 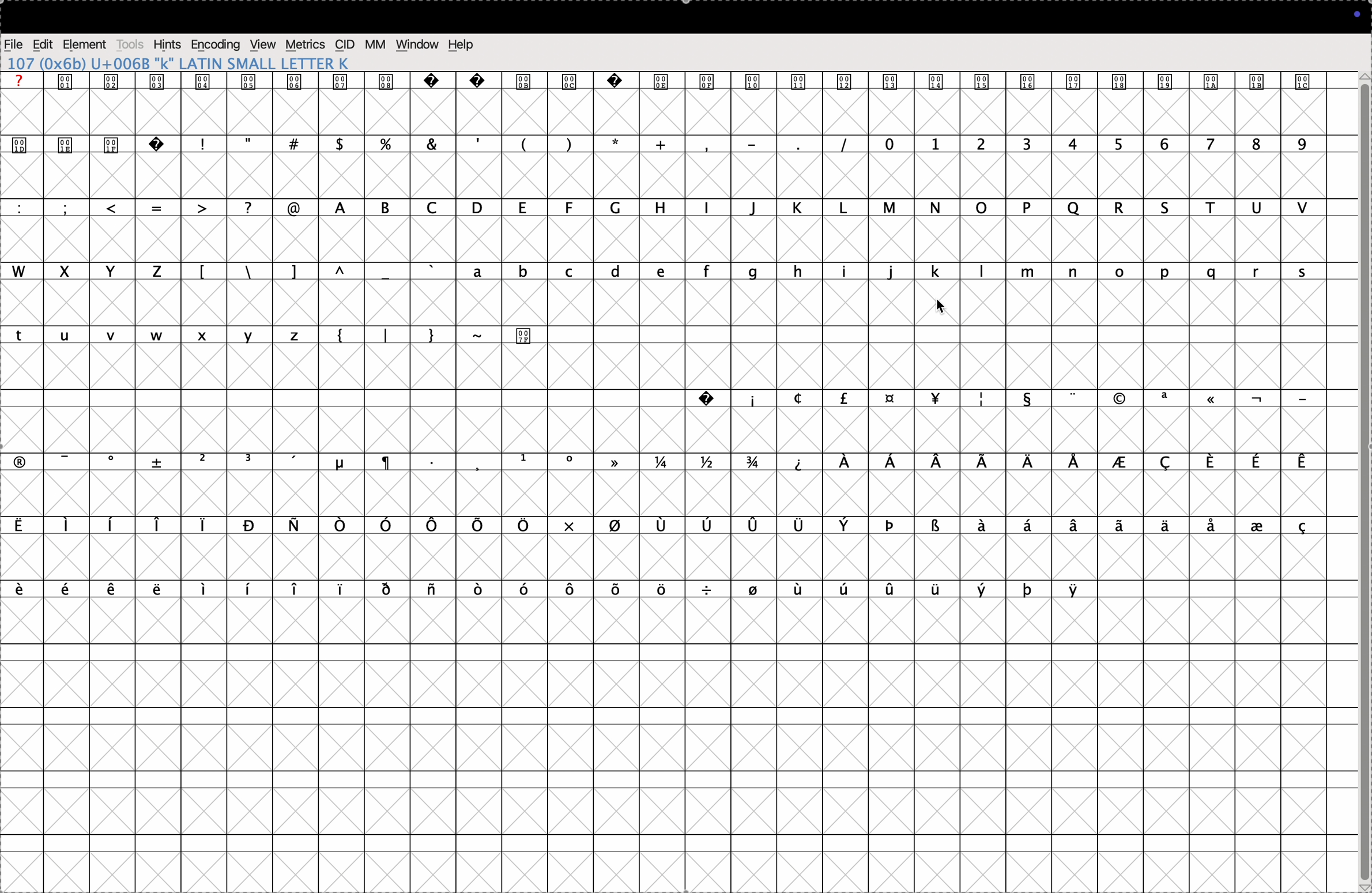 I want to click on [, so click(x=203, y=273).